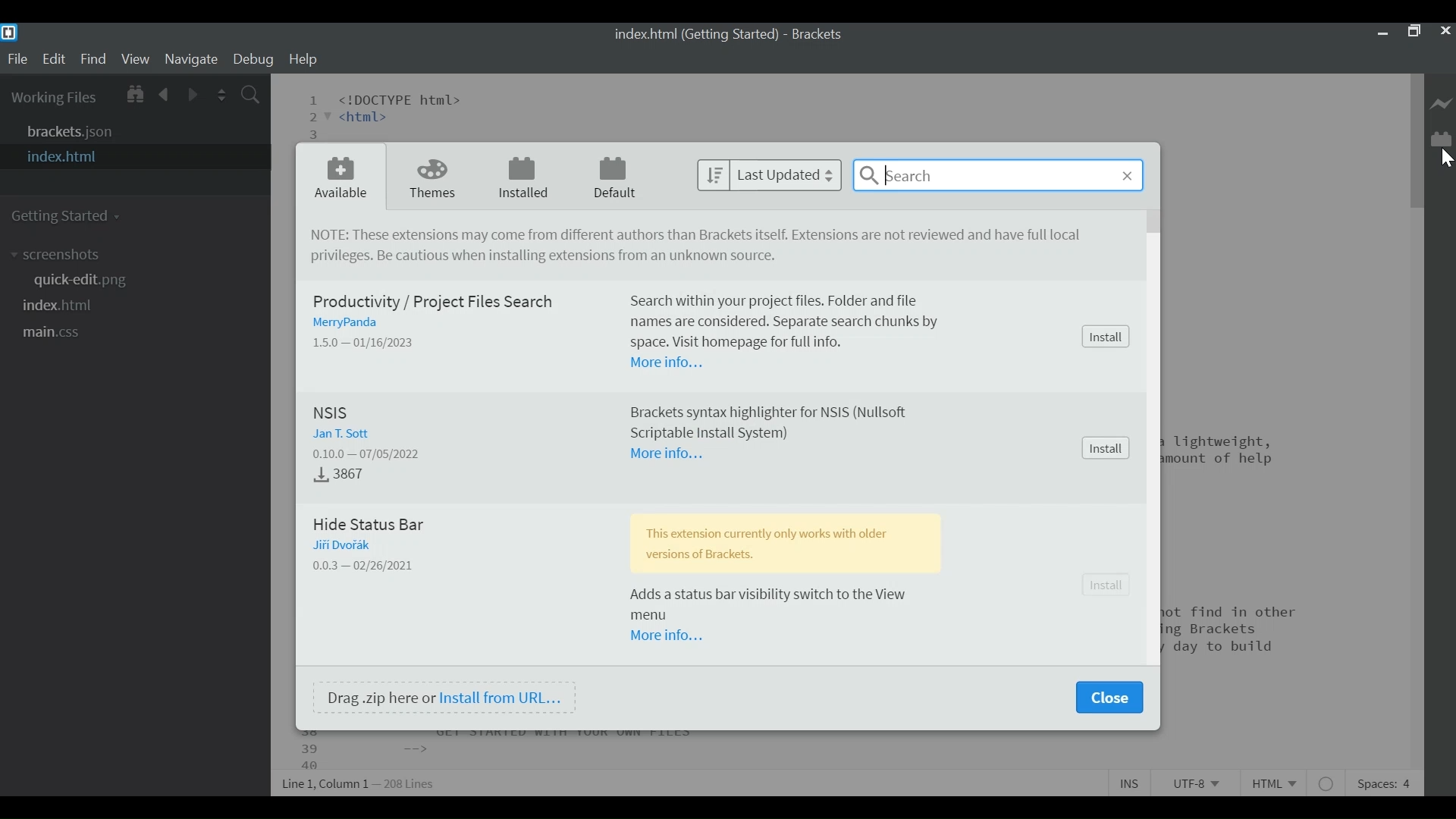  Describe the element at coordinates (1328, 783) in the screenshot. I see `No lintel available for html` at that location.